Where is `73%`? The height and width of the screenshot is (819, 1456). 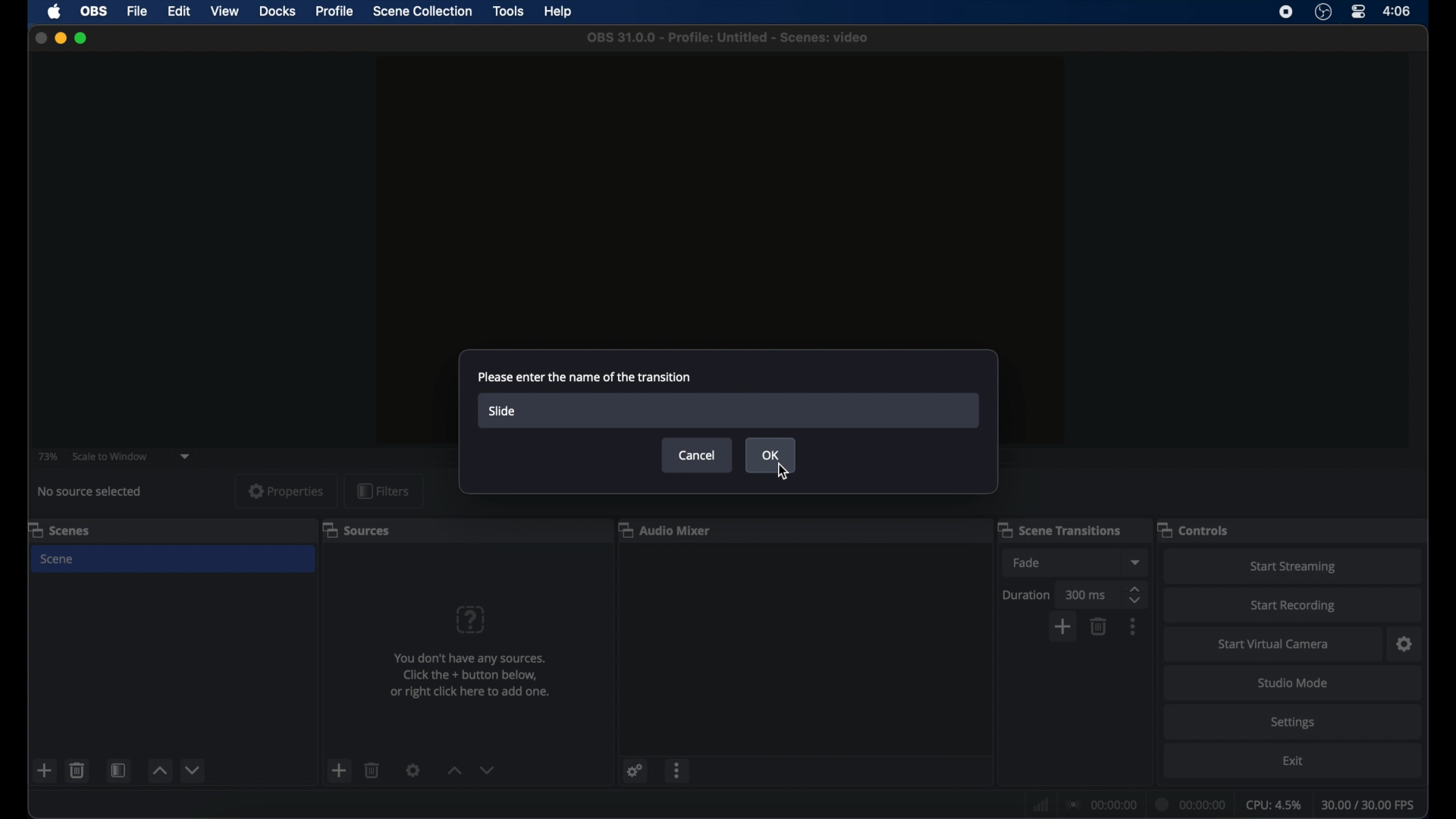 73% is located at coordinates (47, 457).